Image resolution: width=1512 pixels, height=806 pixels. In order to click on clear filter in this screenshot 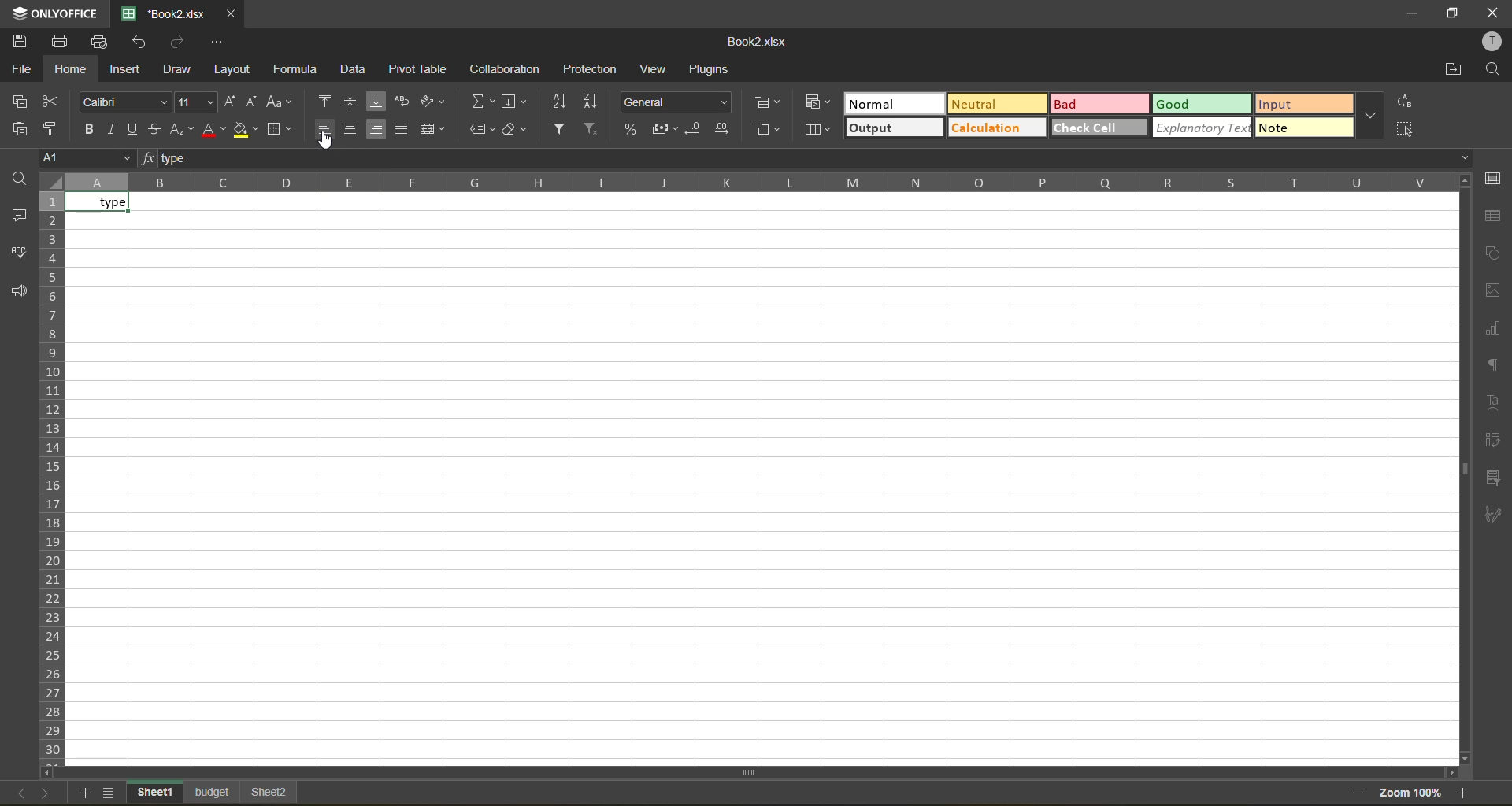, I will do `click(589, 130)`.